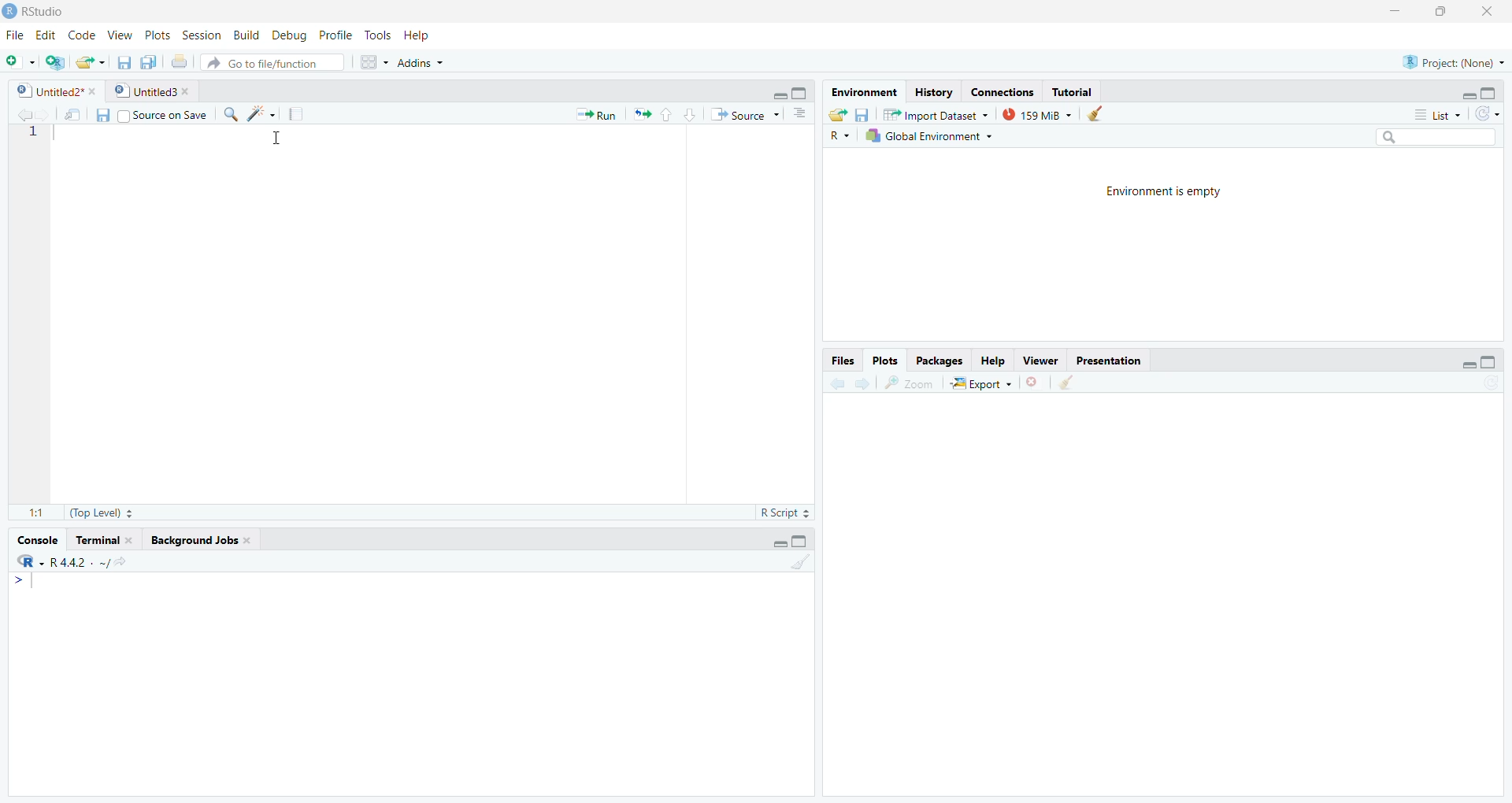 The height and width of the screenshot is (803, 1512). Describe the element at coordinates (743, 114) in the screenshot. I see `Source` at that location.